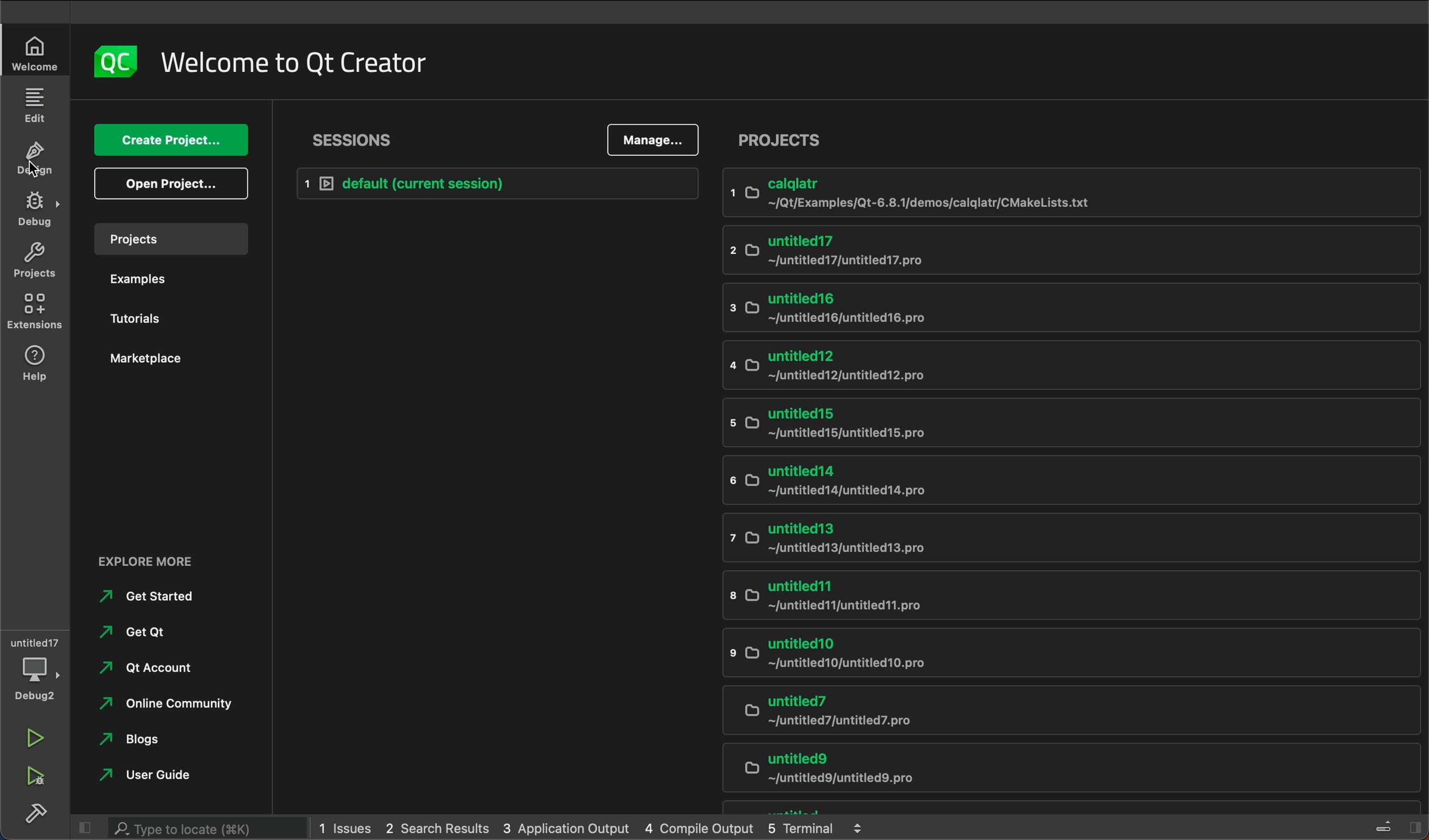  What do you see at coordinates (302, 61) in the screenshot?
I see `welcome` at bounding box center [302, 61].